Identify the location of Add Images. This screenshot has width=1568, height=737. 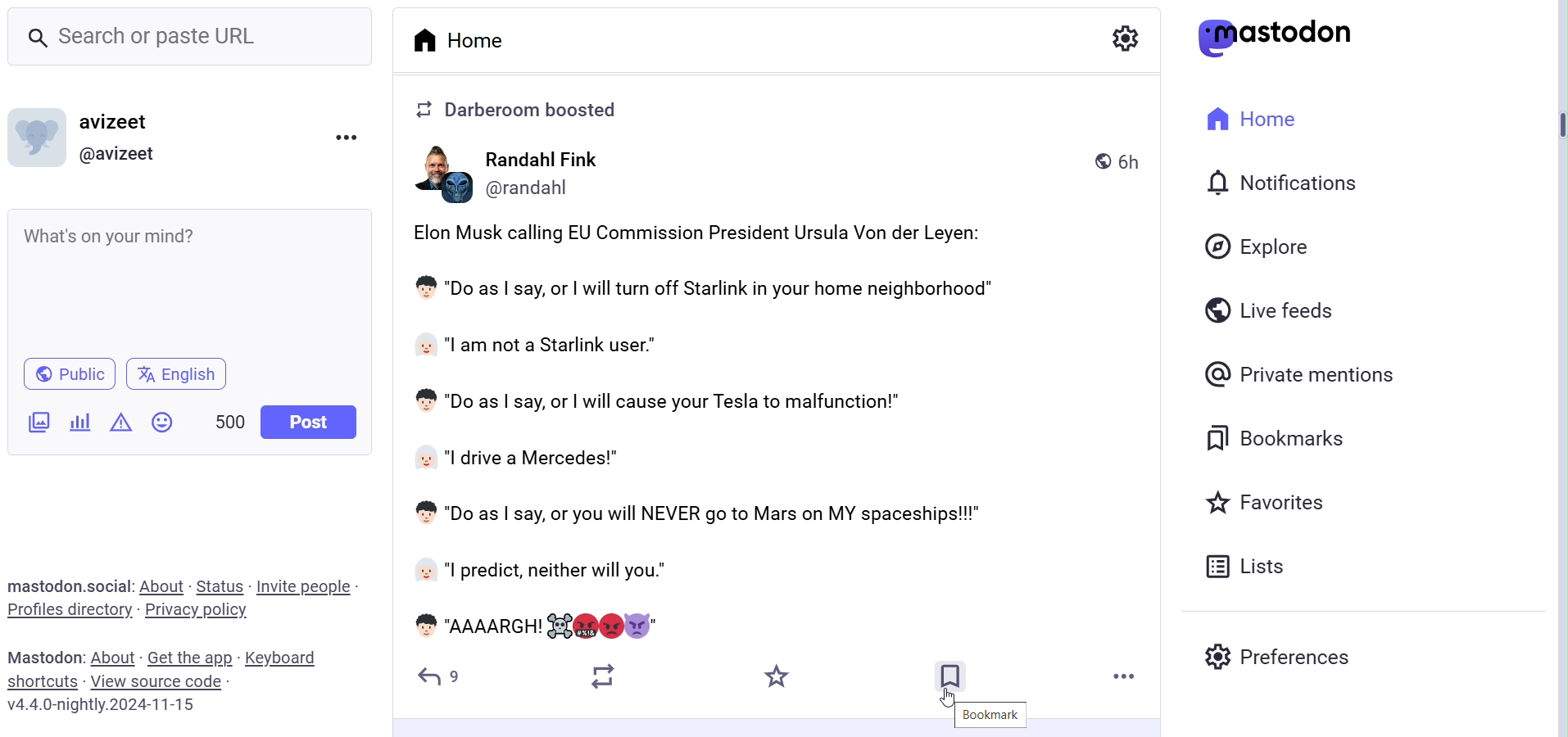
(37, 423).